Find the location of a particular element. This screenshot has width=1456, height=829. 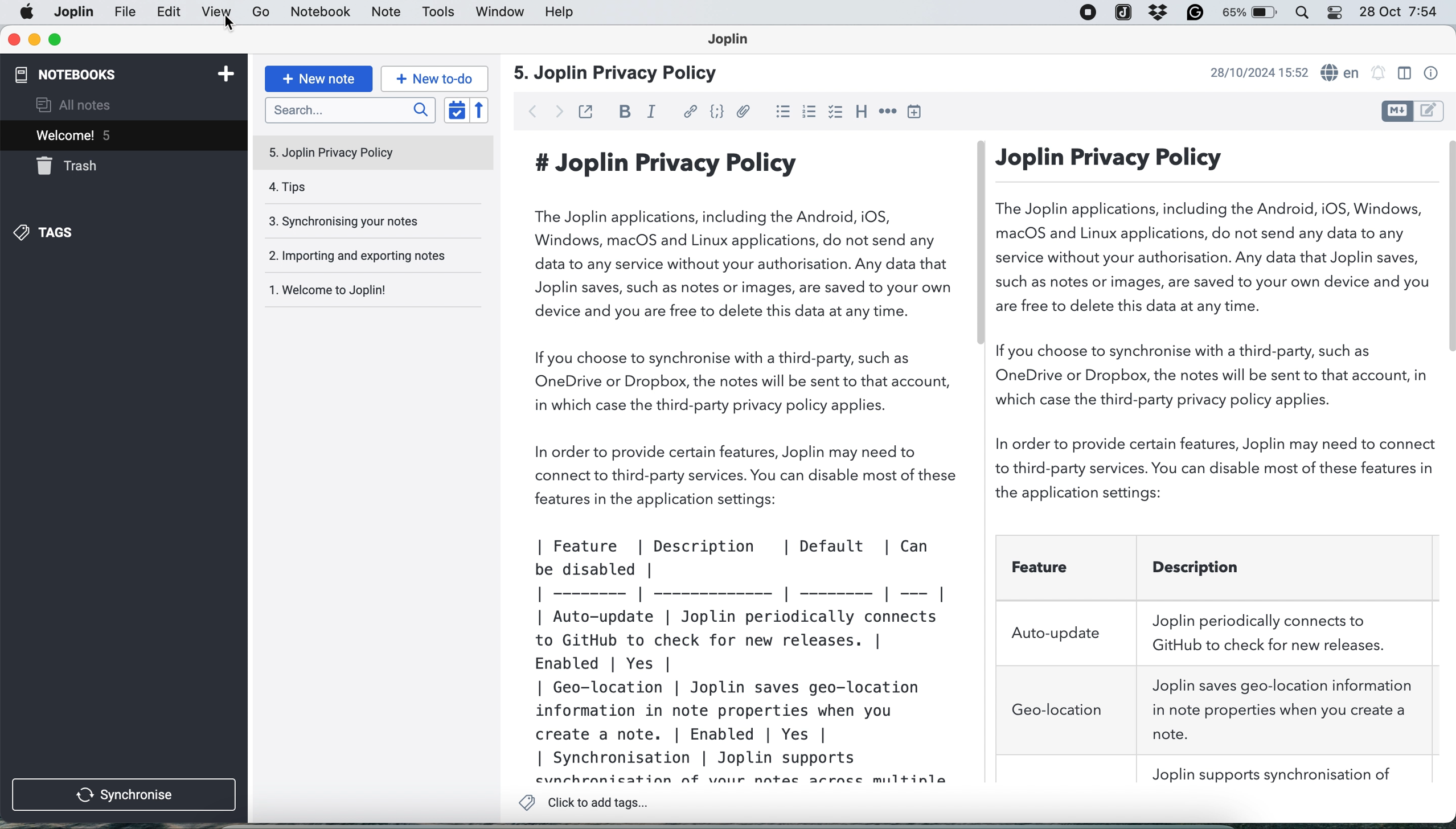

file is located at coordinates (72, 12).